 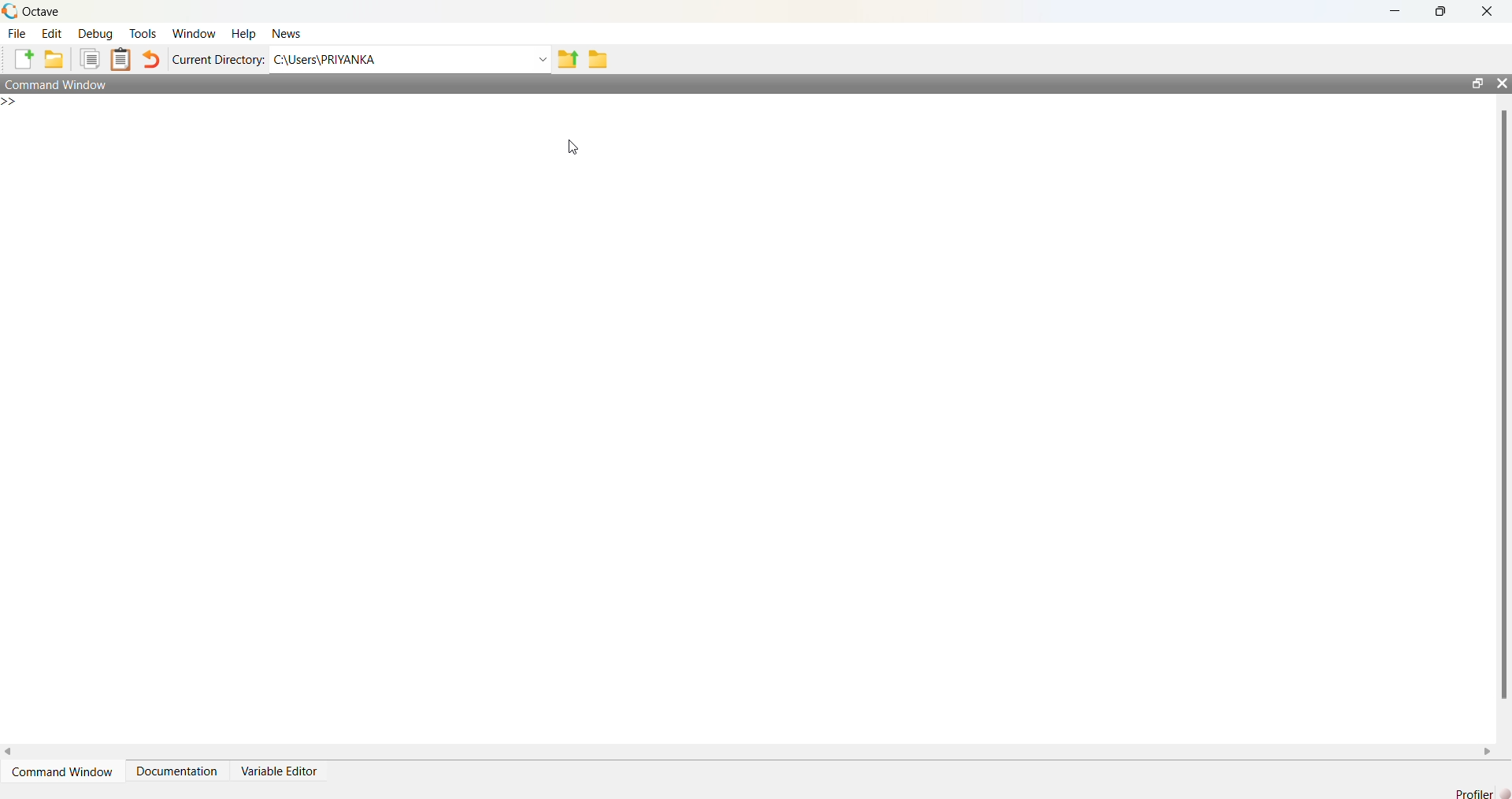 I want to click on Command Window, so click(x=64, y=771).